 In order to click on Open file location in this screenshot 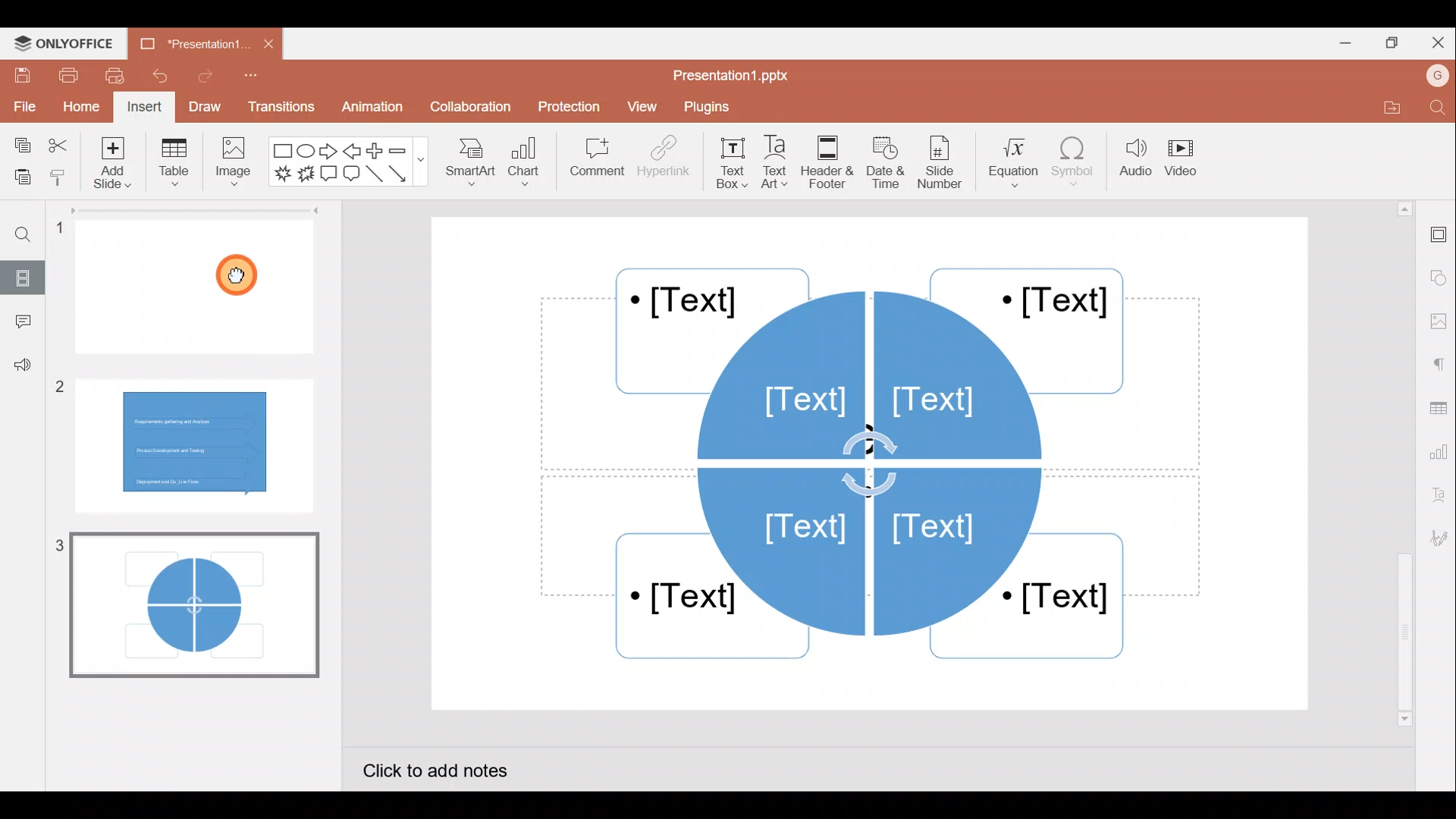, I will do `click(1382, 107)`.